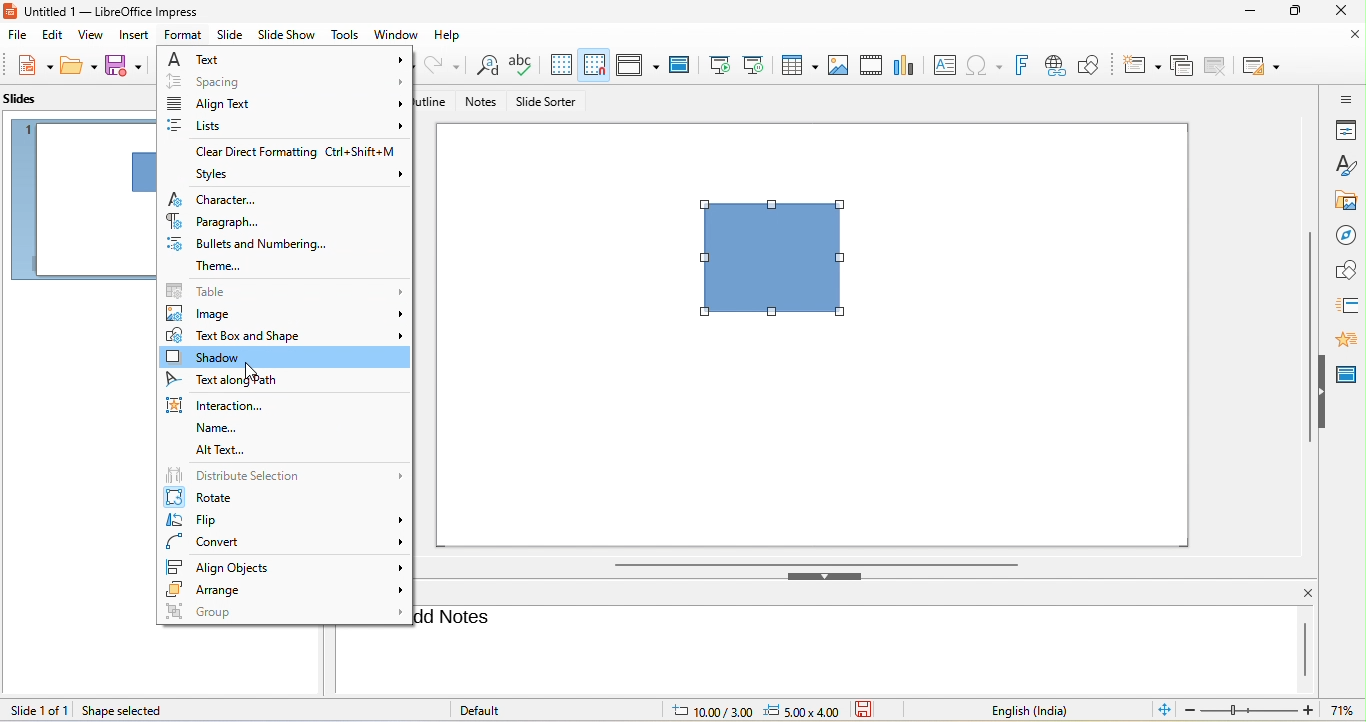 The width and height of the screenshot is (1366, 722). What do you see at coordinates (284, 614) in the screenshot?
I see `group` at bounding box center [284, 614].